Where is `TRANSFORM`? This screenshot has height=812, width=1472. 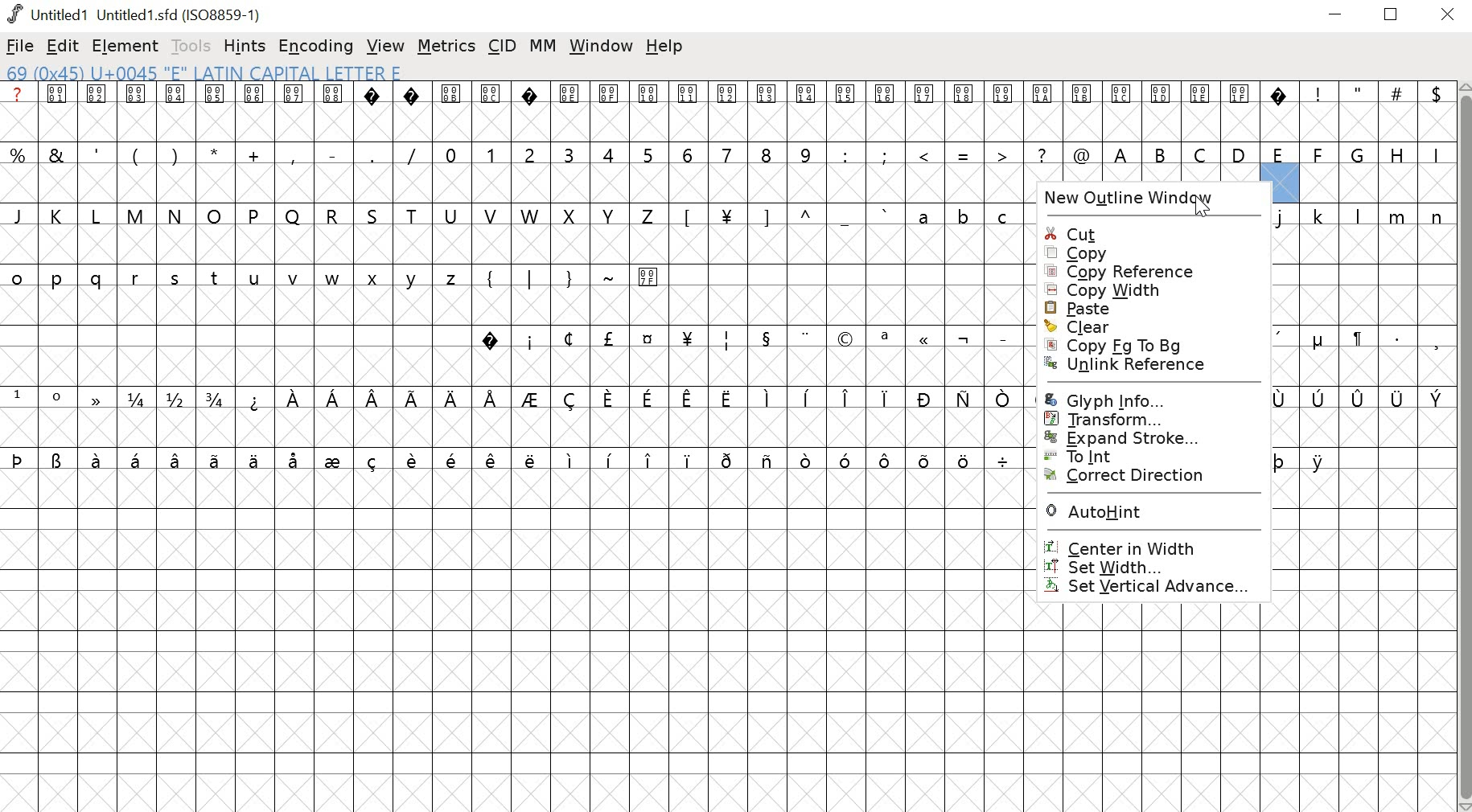 TRANSFORM is located at coordinates (1144, 417).